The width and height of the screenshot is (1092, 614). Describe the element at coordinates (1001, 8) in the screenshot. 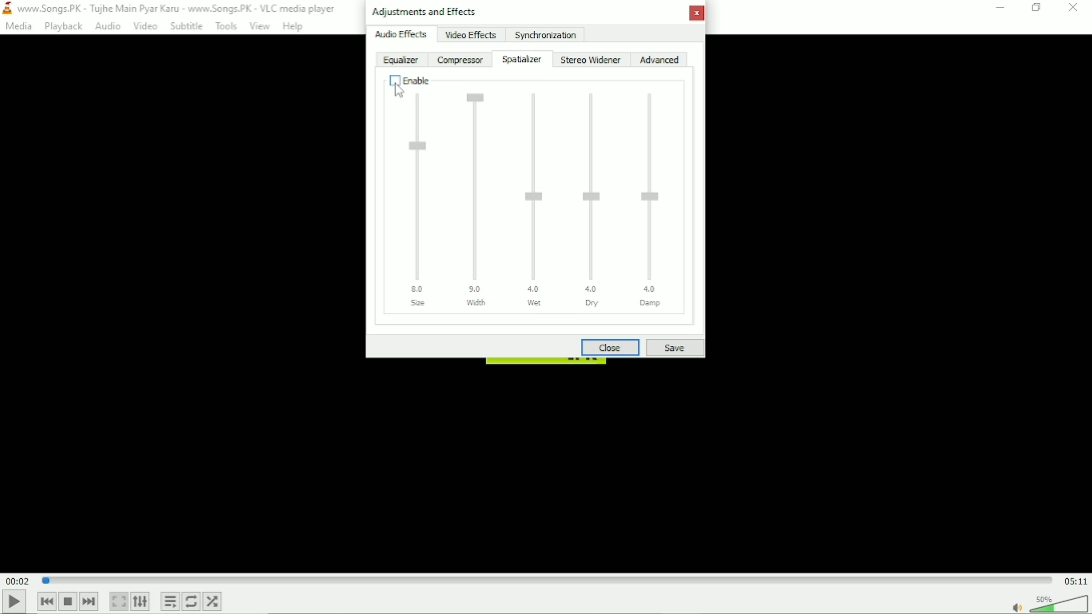

I see `minimize` at that location.